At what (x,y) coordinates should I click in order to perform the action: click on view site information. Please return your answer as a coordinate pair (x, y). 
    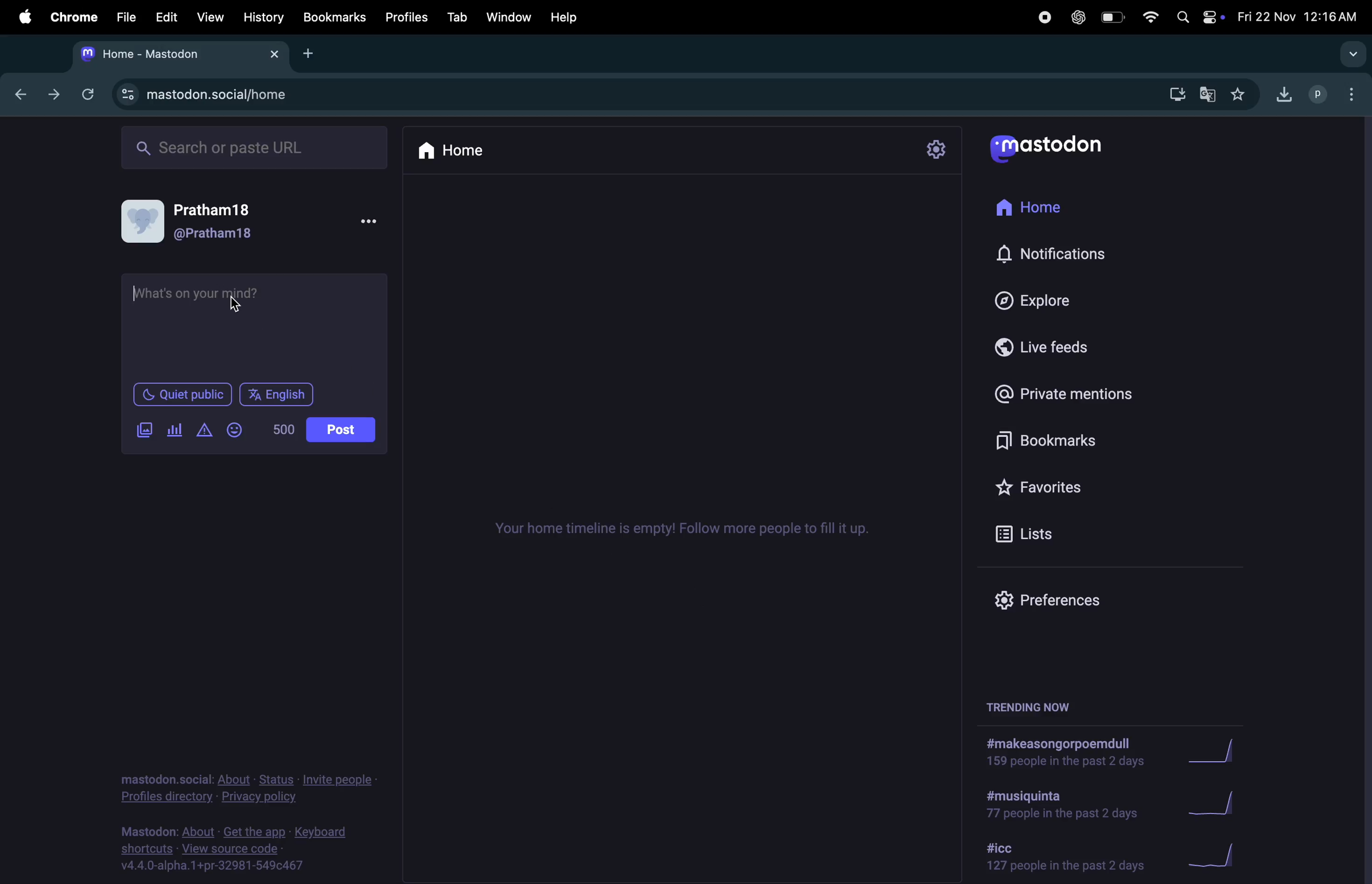
    Looking at the image, I should click on (130, 96).